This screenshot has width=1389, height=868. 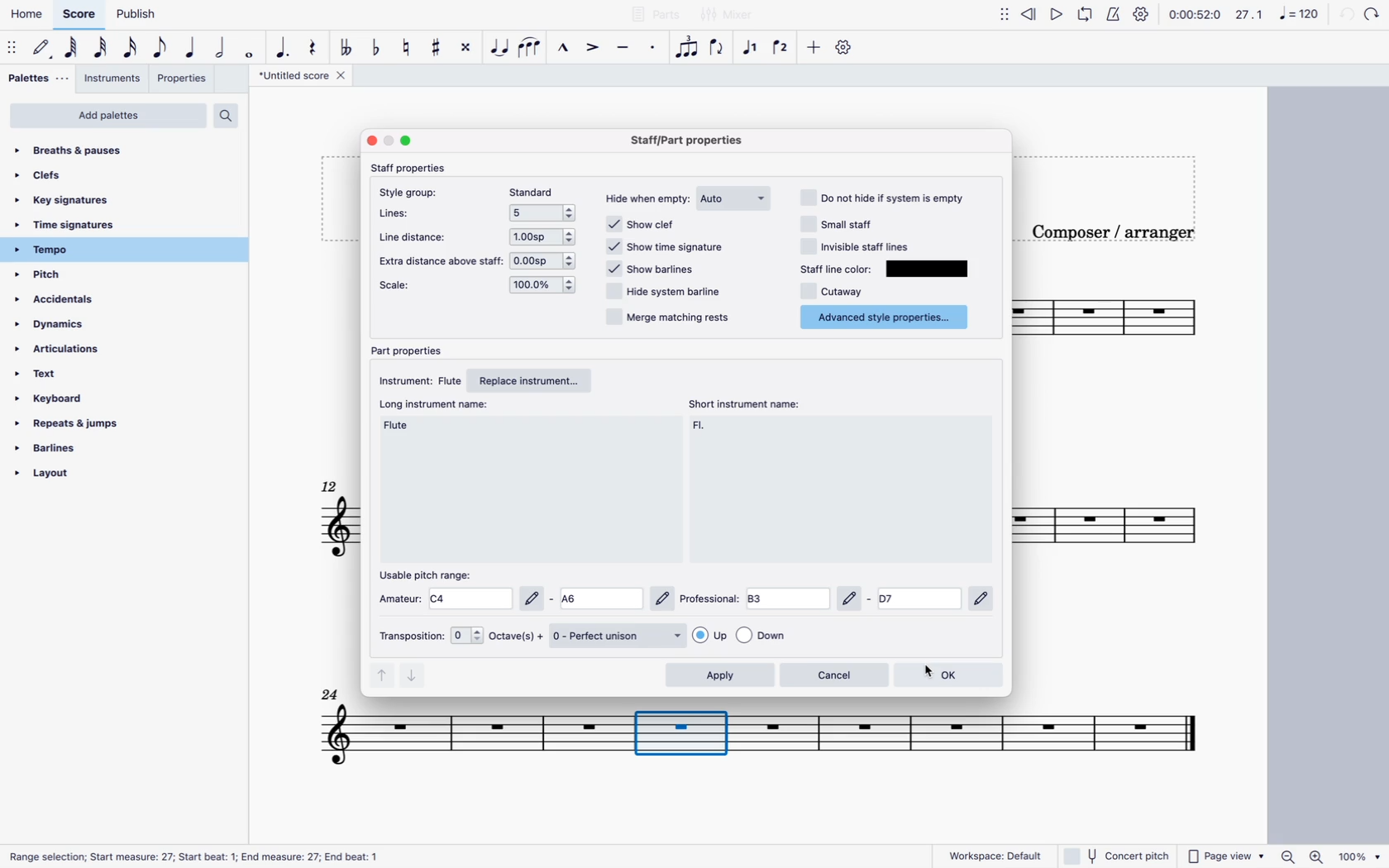 I want to click on full note, so click(x=250, y=48).